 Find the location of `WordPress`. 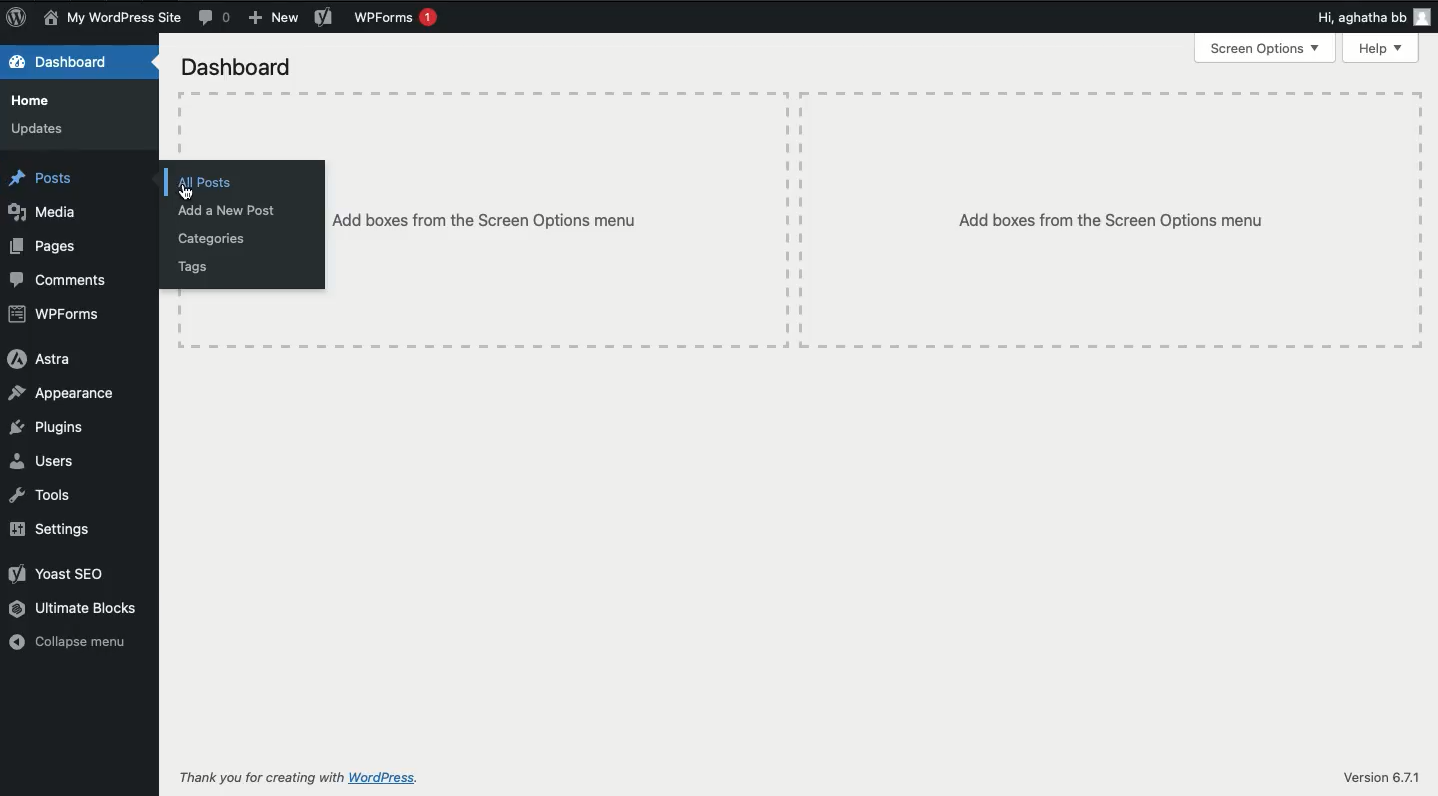

WordPress is located at coordinates (386, 778).